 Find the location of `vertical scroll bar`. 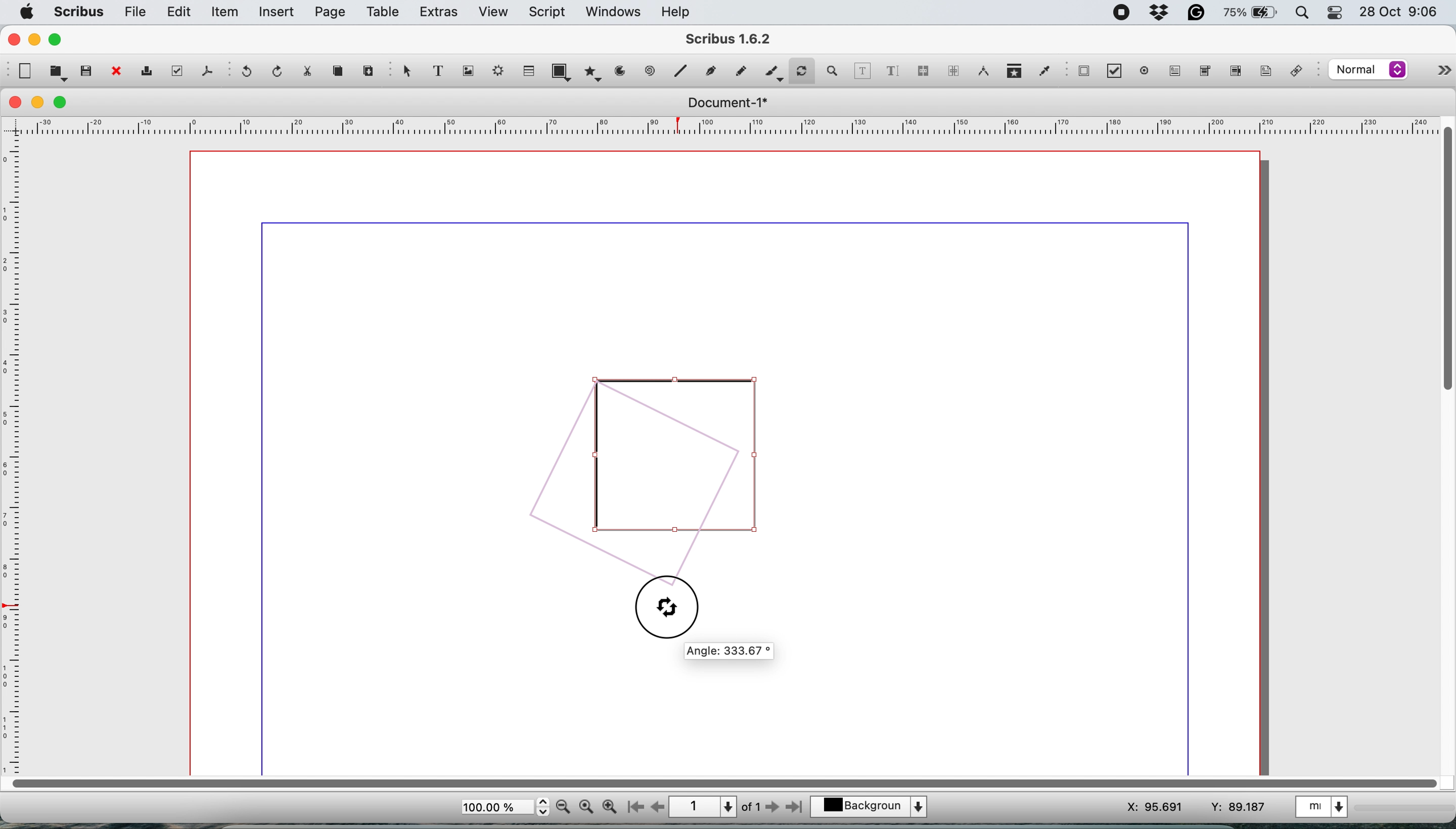

vertical scroll bar is located at coordinates (1443, 261).